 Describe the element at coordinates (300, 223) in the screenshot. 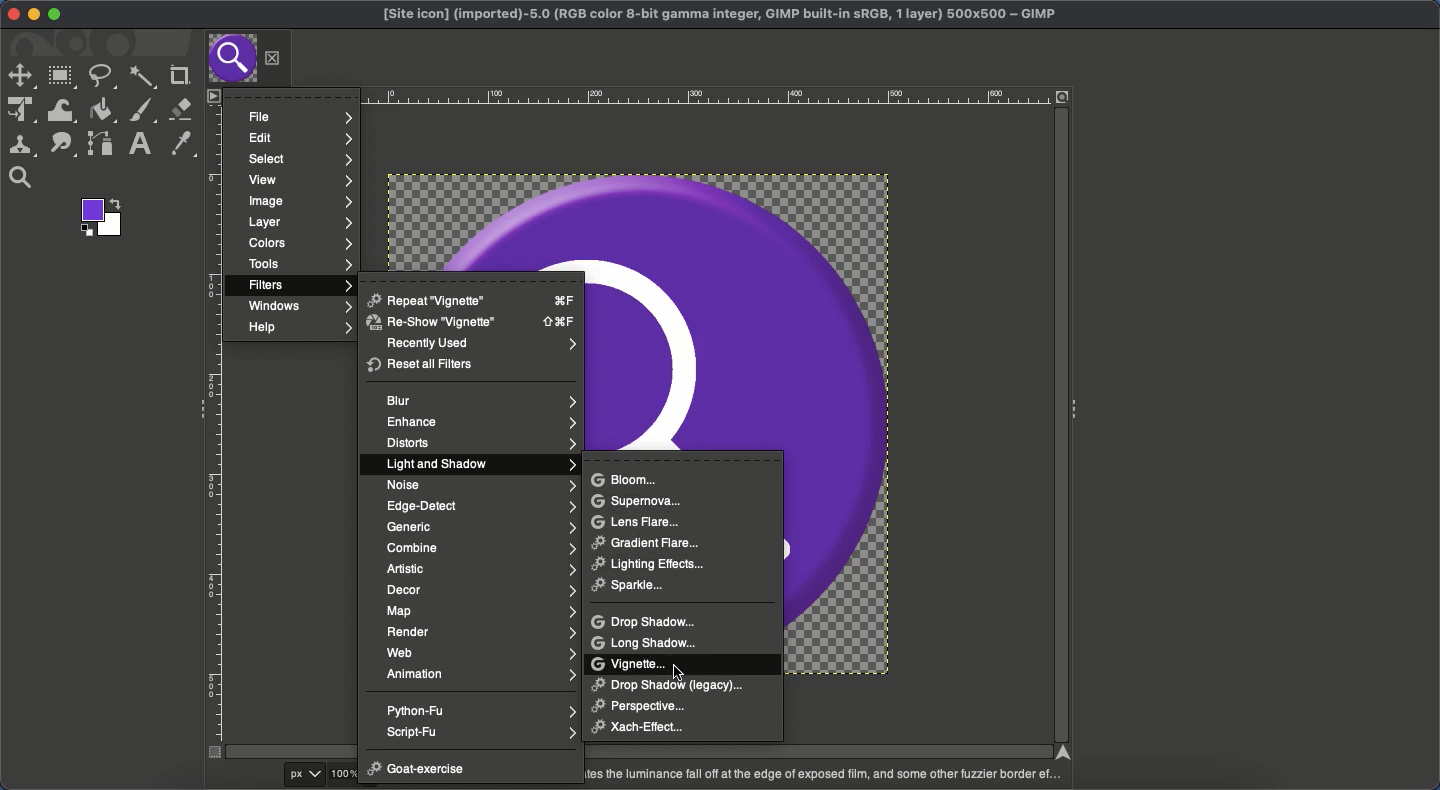

I see `Layers` at that location.